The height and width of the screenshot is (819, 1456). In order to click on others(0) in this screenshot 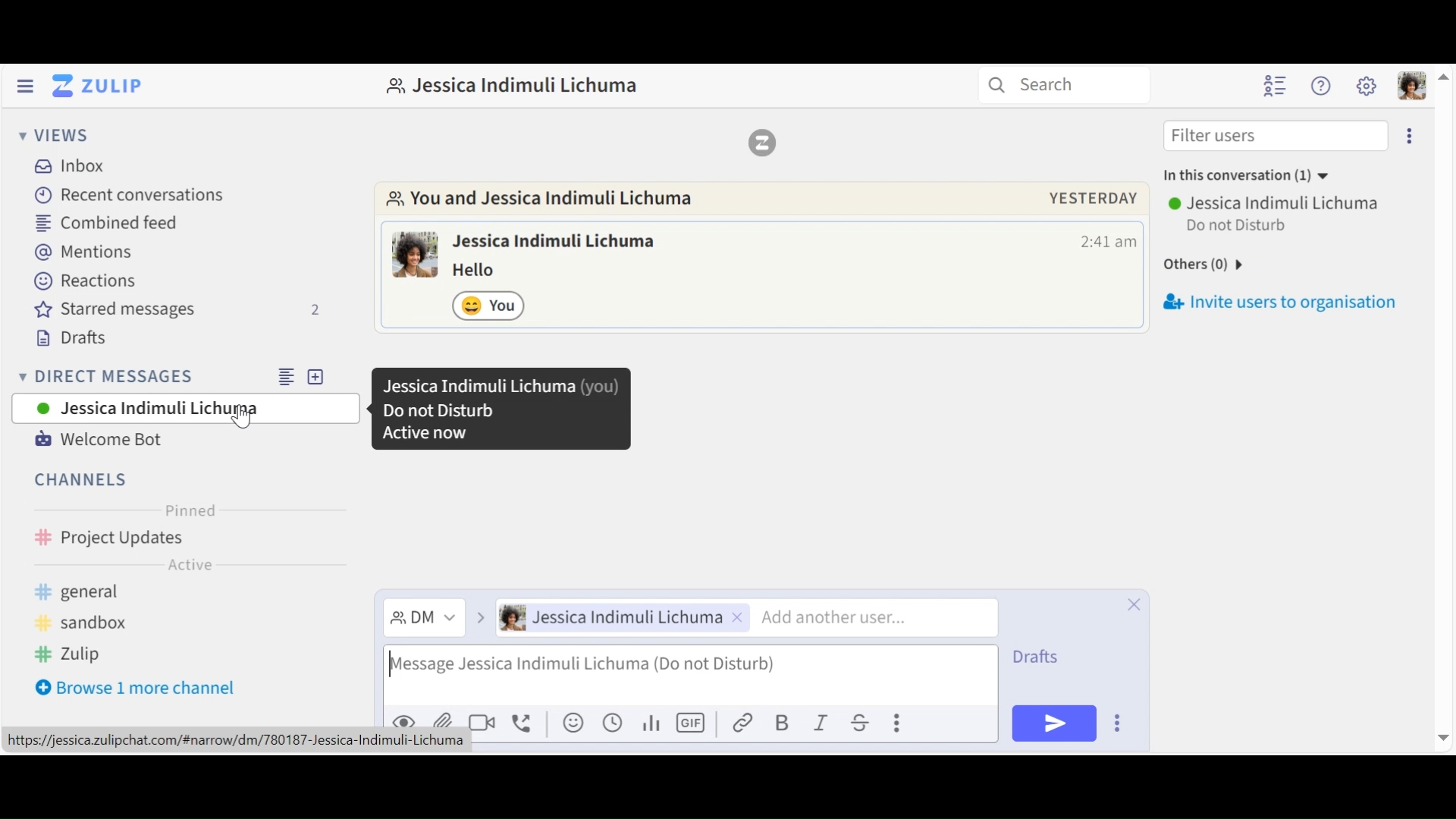, I will do `click(1229, 262)`.